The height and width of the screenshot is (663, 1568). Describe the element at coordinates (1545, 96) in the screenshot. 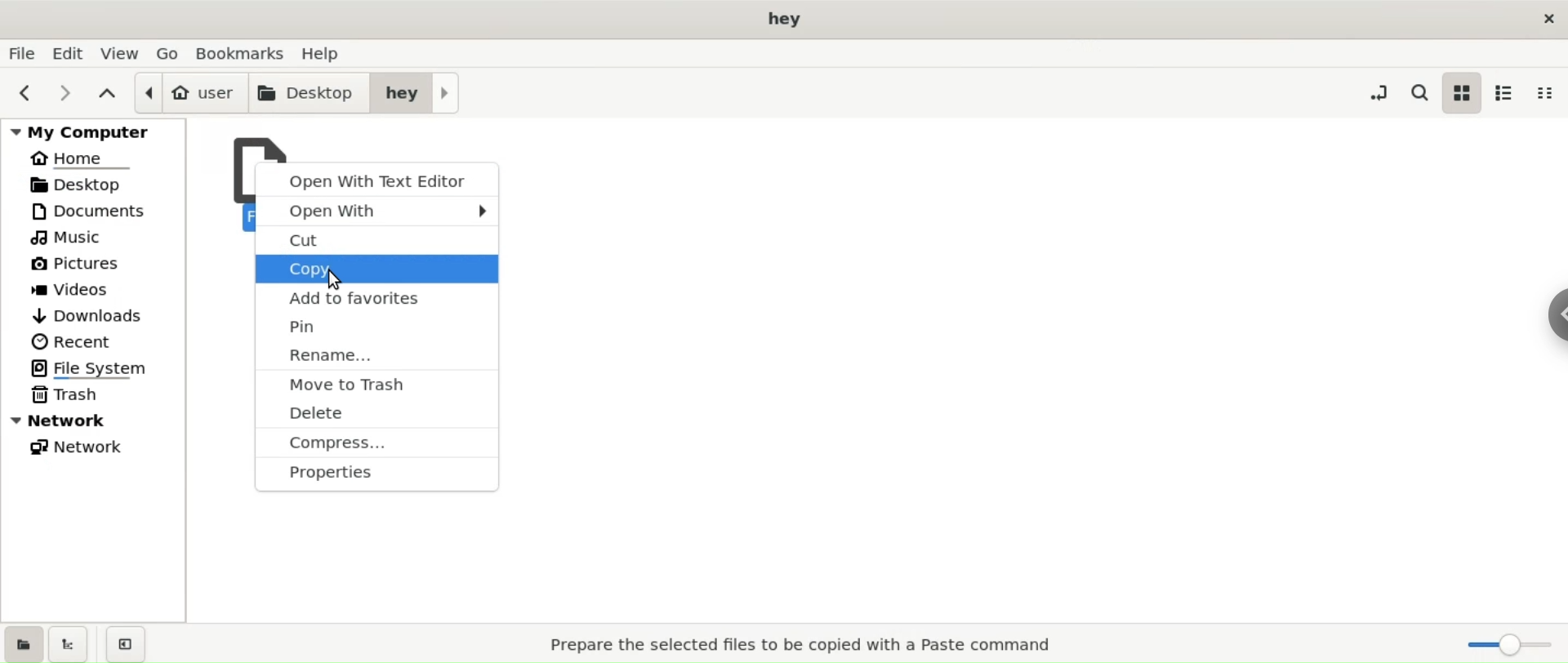

I see `compact view` at that location.